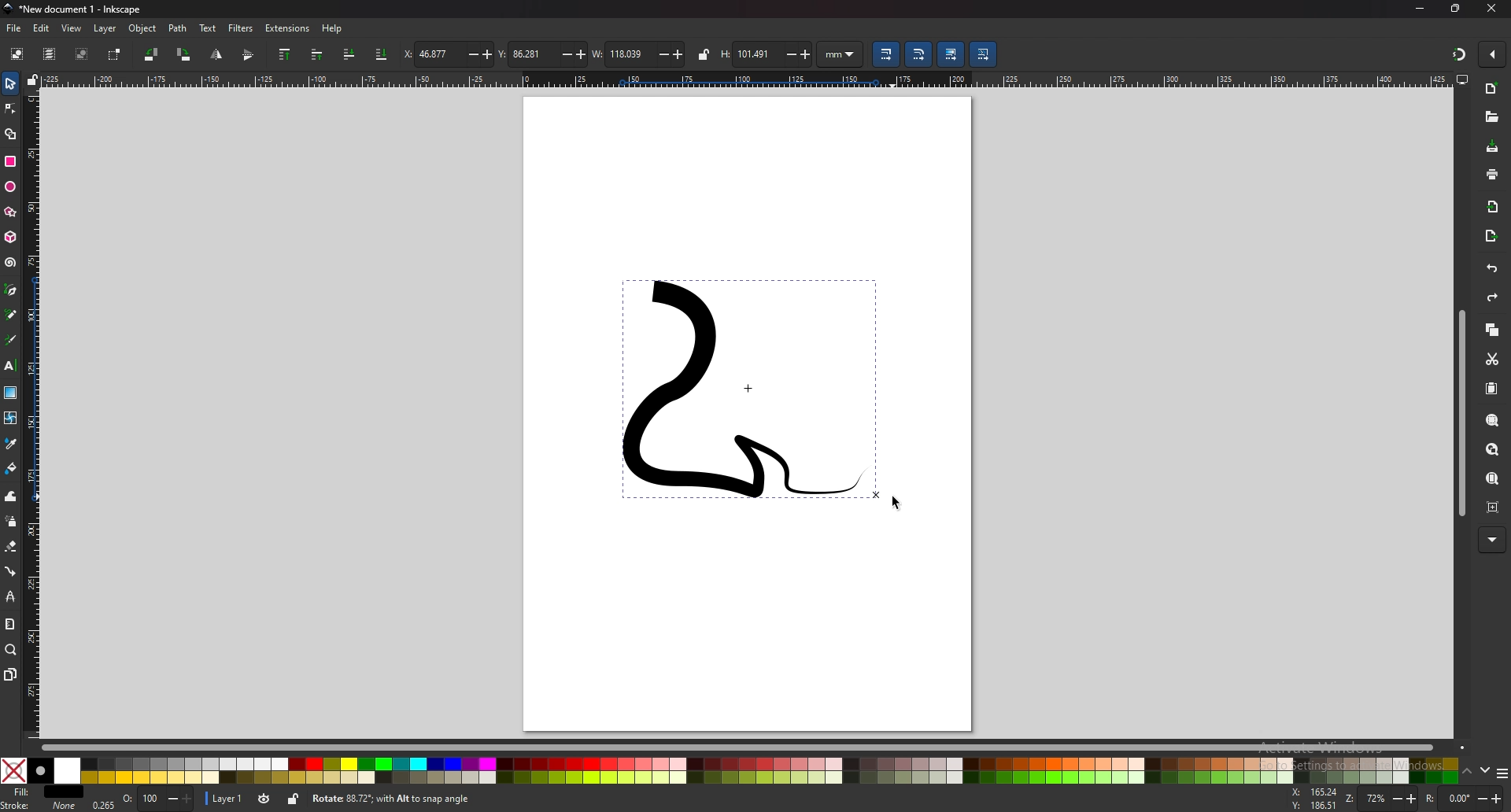  I want to click on down, so click(1487, 770).